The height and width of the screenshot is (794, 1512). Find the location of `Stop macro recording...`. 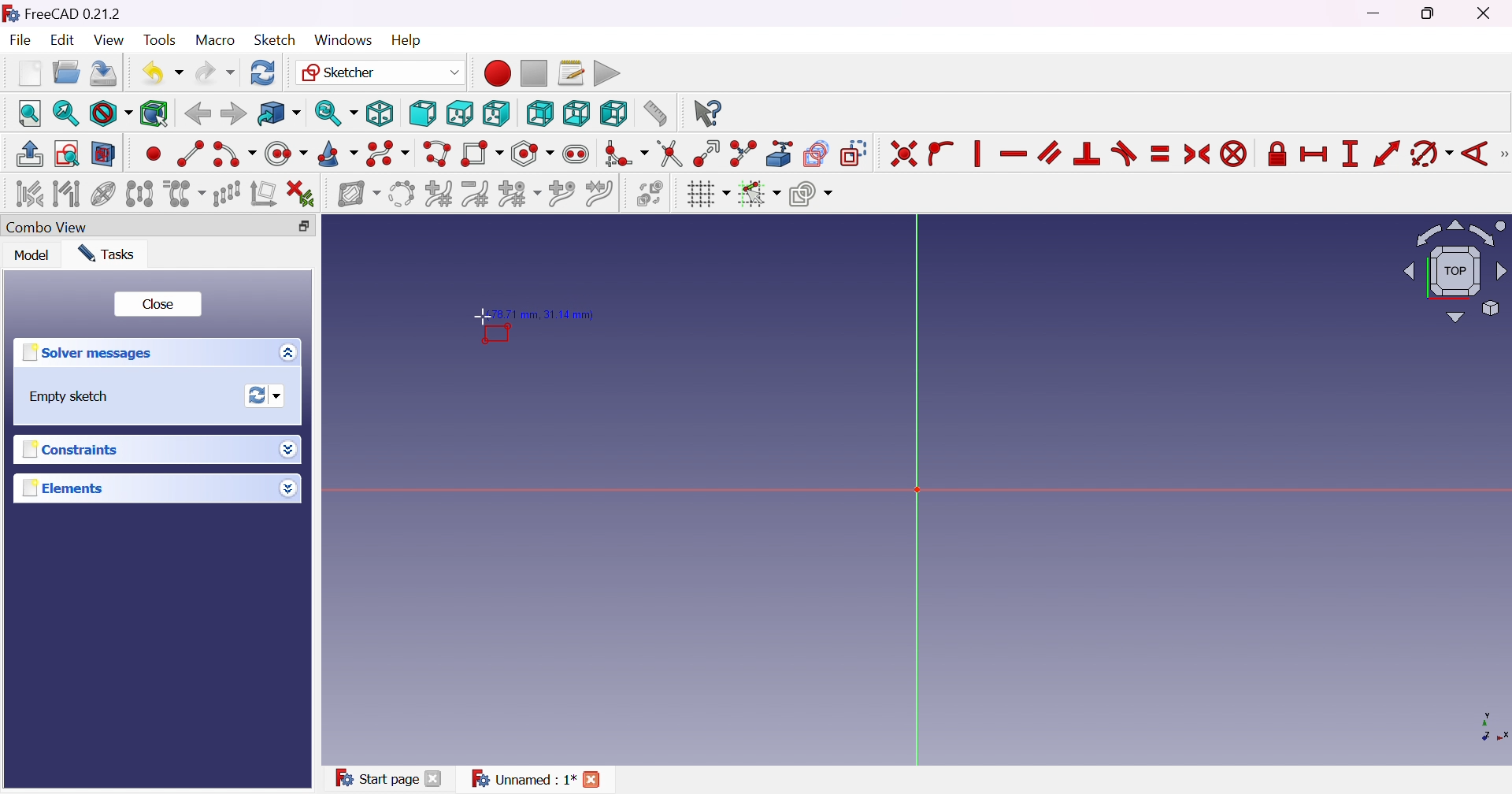

Stop macro recording... is located at coordinates (535, 72).